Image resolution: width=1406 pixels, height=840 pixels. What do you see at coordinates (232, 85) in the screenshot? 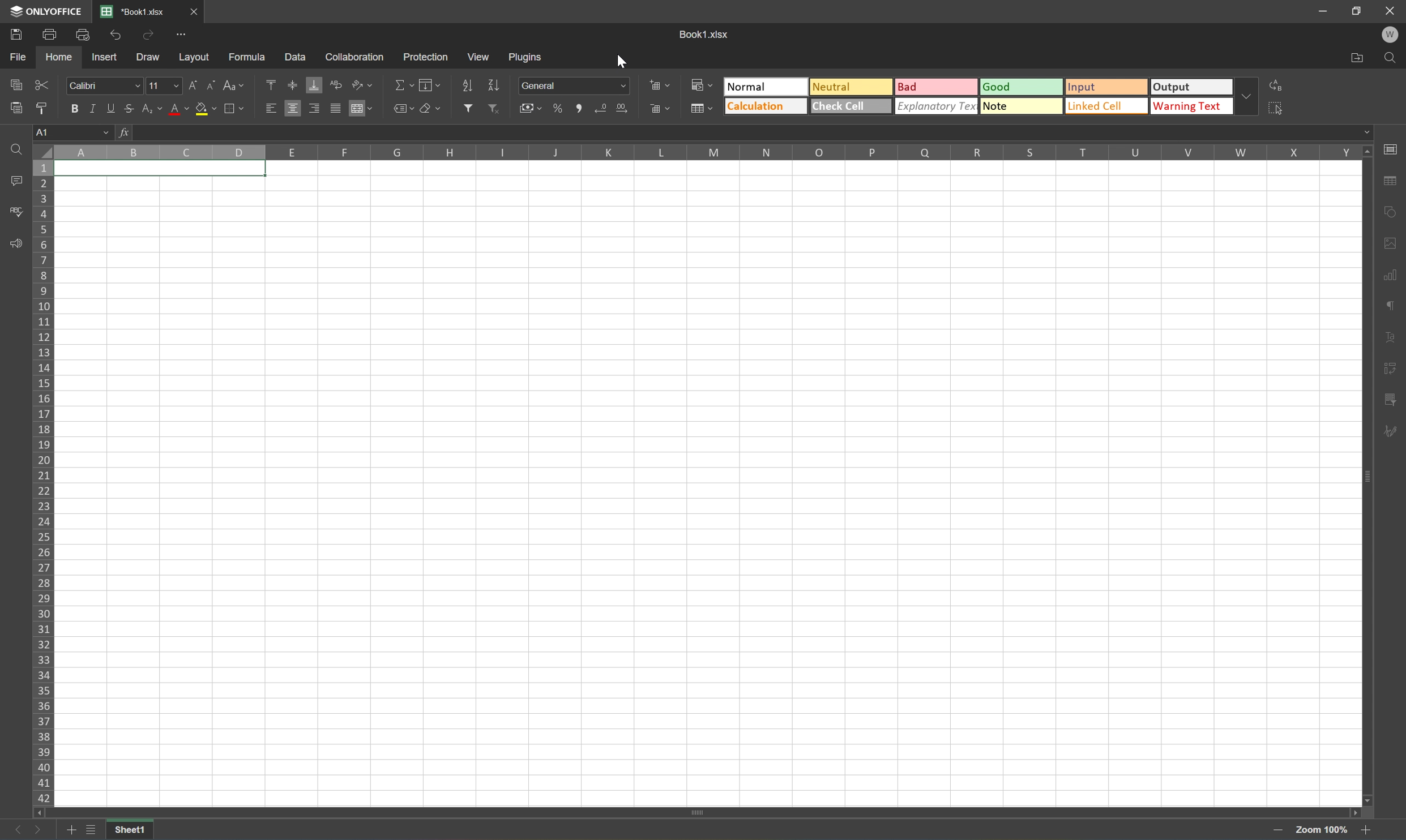
I see `Change case` at bounding box center [232, 85].